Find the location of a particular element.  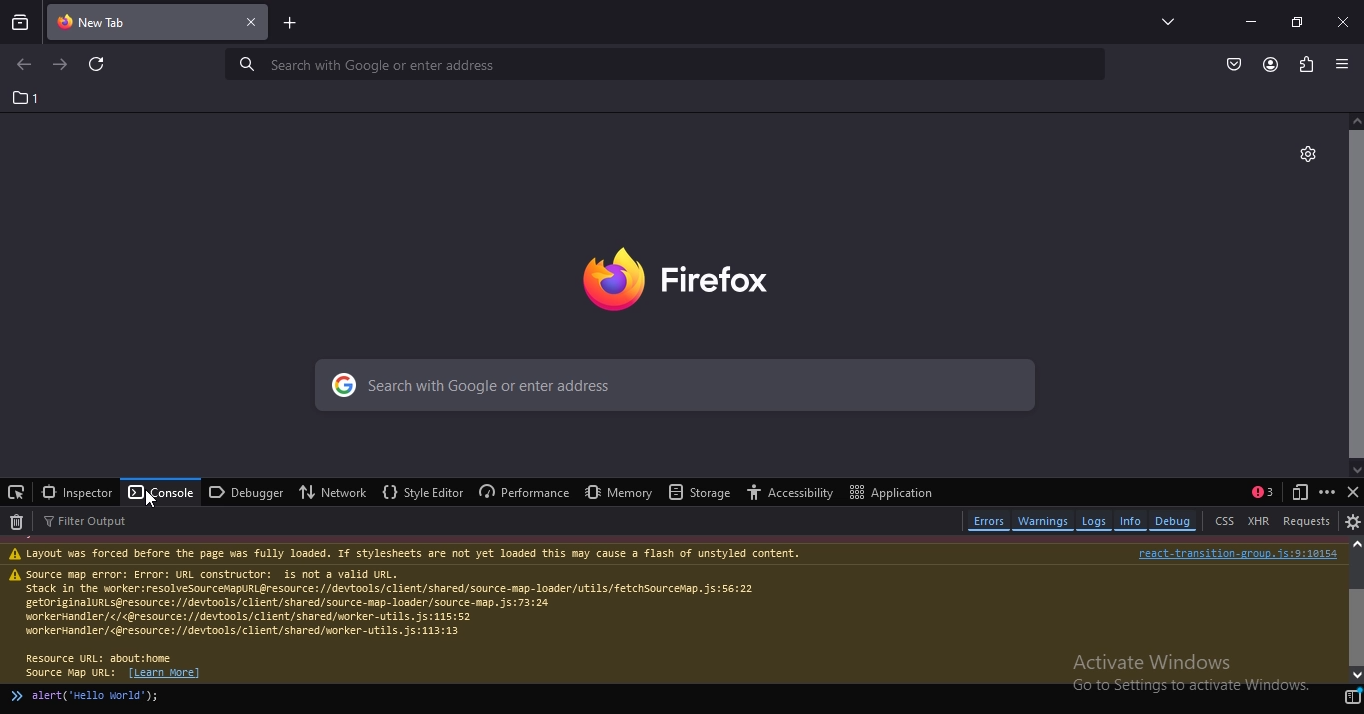

minimize is located at coordinates (1250, 21).